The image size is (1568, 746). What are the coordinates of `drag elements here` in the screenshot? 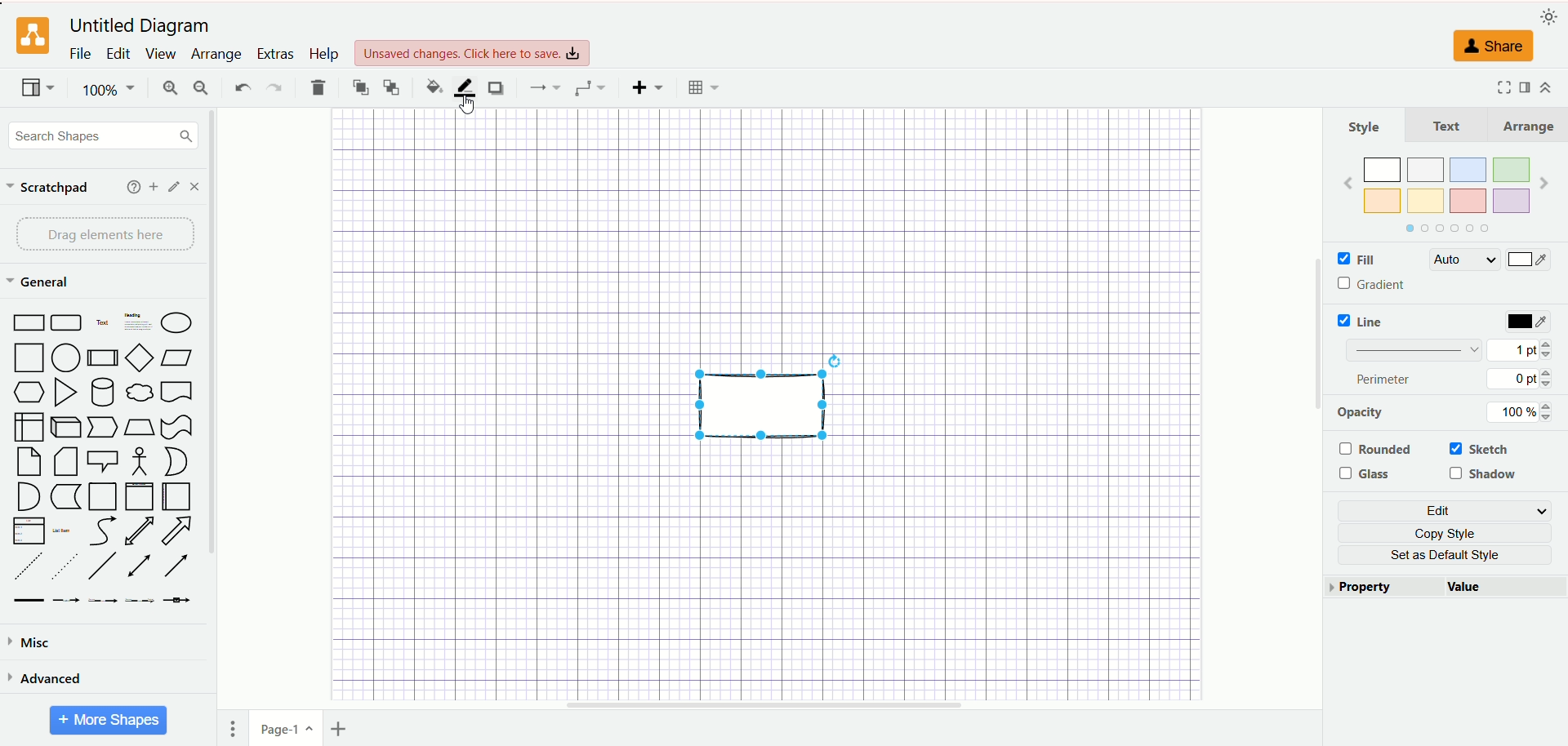 It's located at (105, 235).